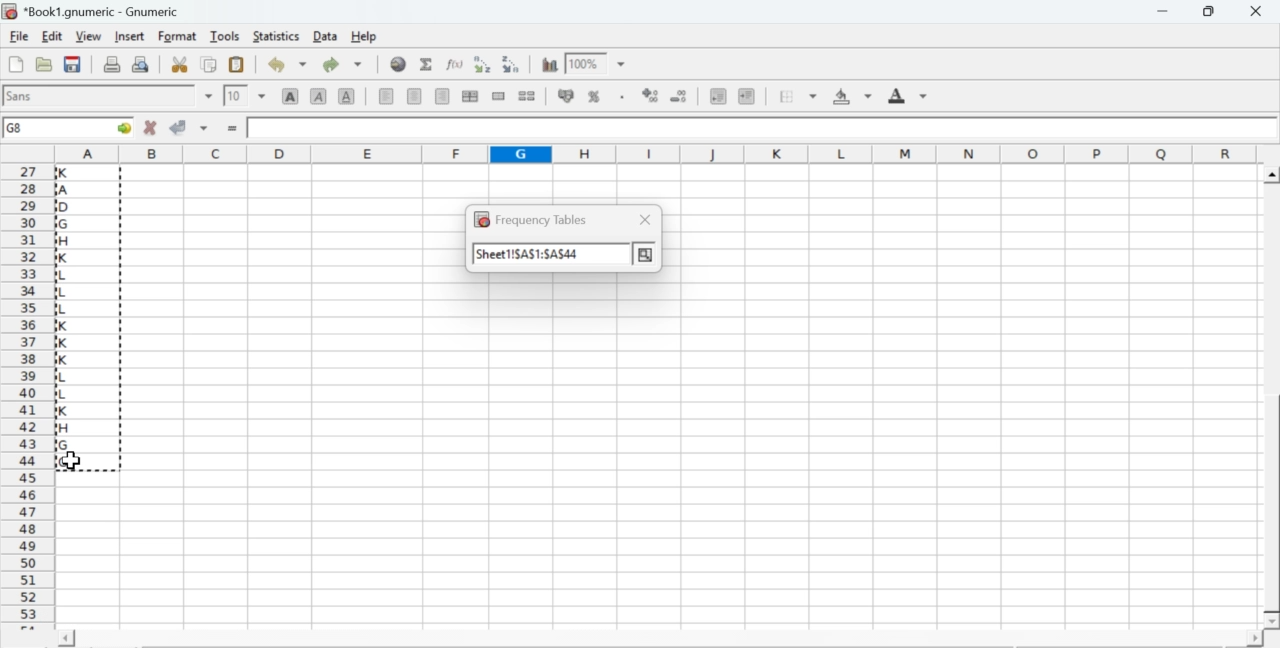 This screenshot has width=1280, height=648. I want to click on insert, so click(128, 35).